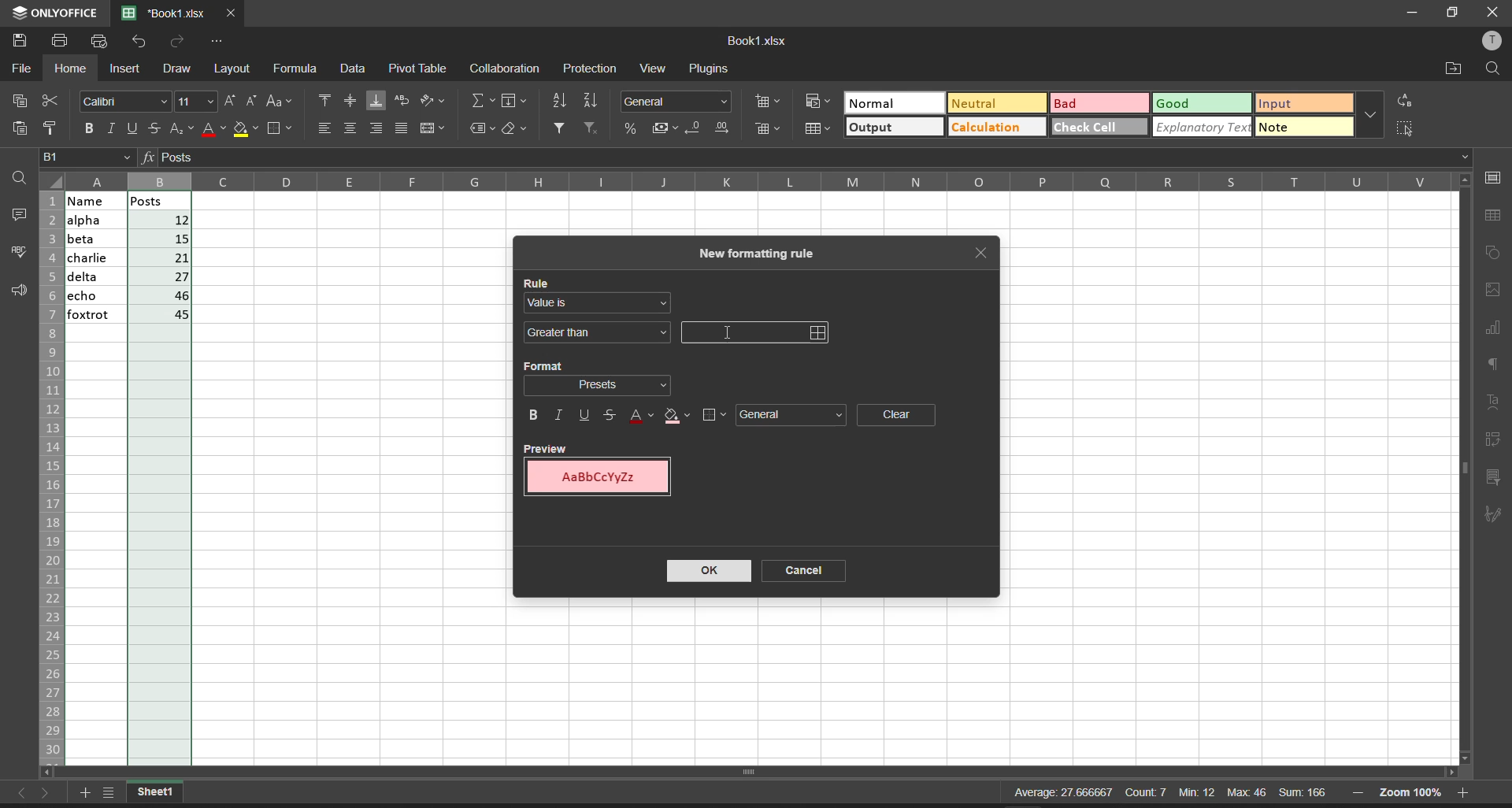  I want to click on signature settings, so click(1498, 513).